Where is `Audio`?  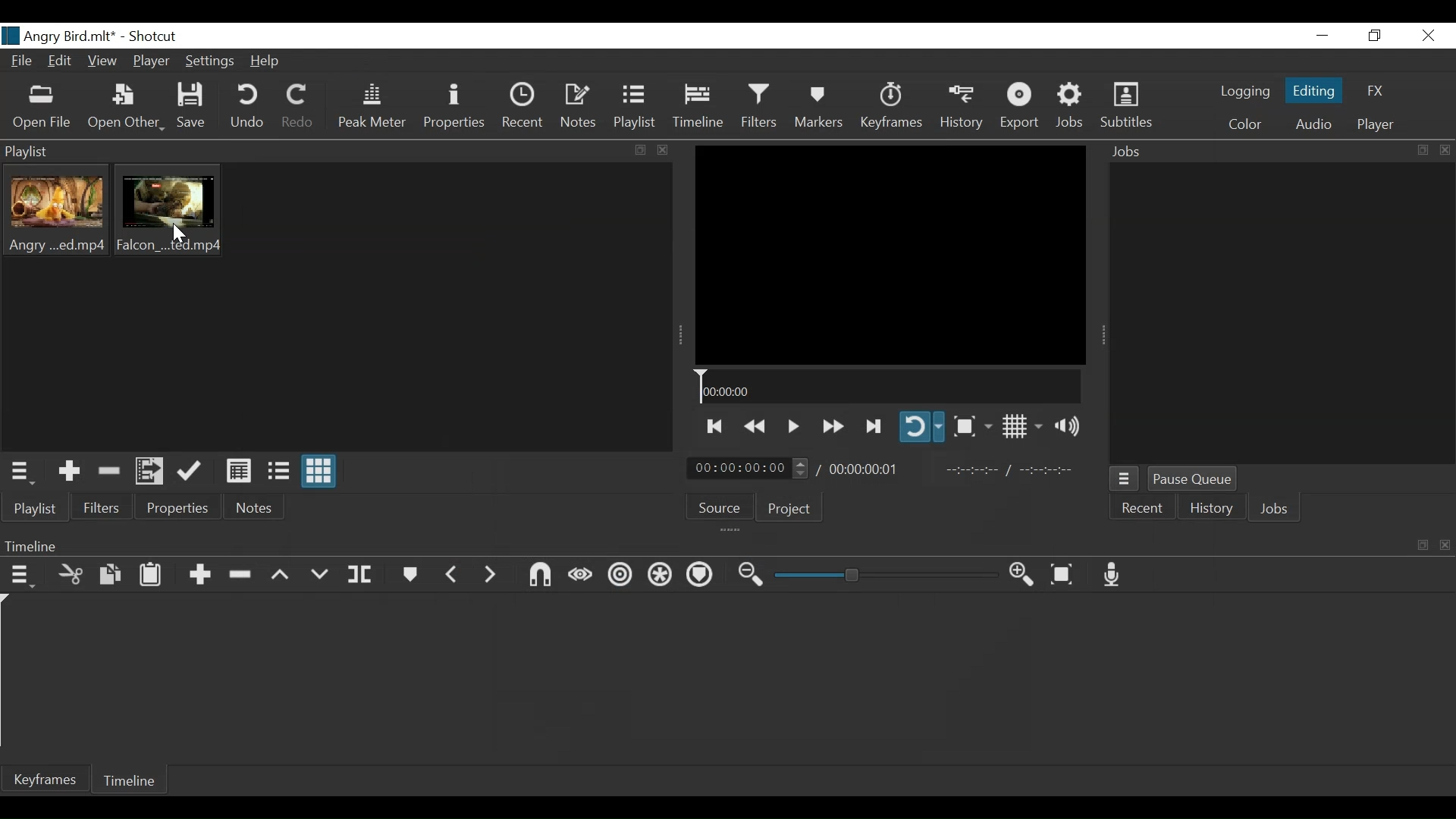
Audio is located at coordinates (1313, 126).